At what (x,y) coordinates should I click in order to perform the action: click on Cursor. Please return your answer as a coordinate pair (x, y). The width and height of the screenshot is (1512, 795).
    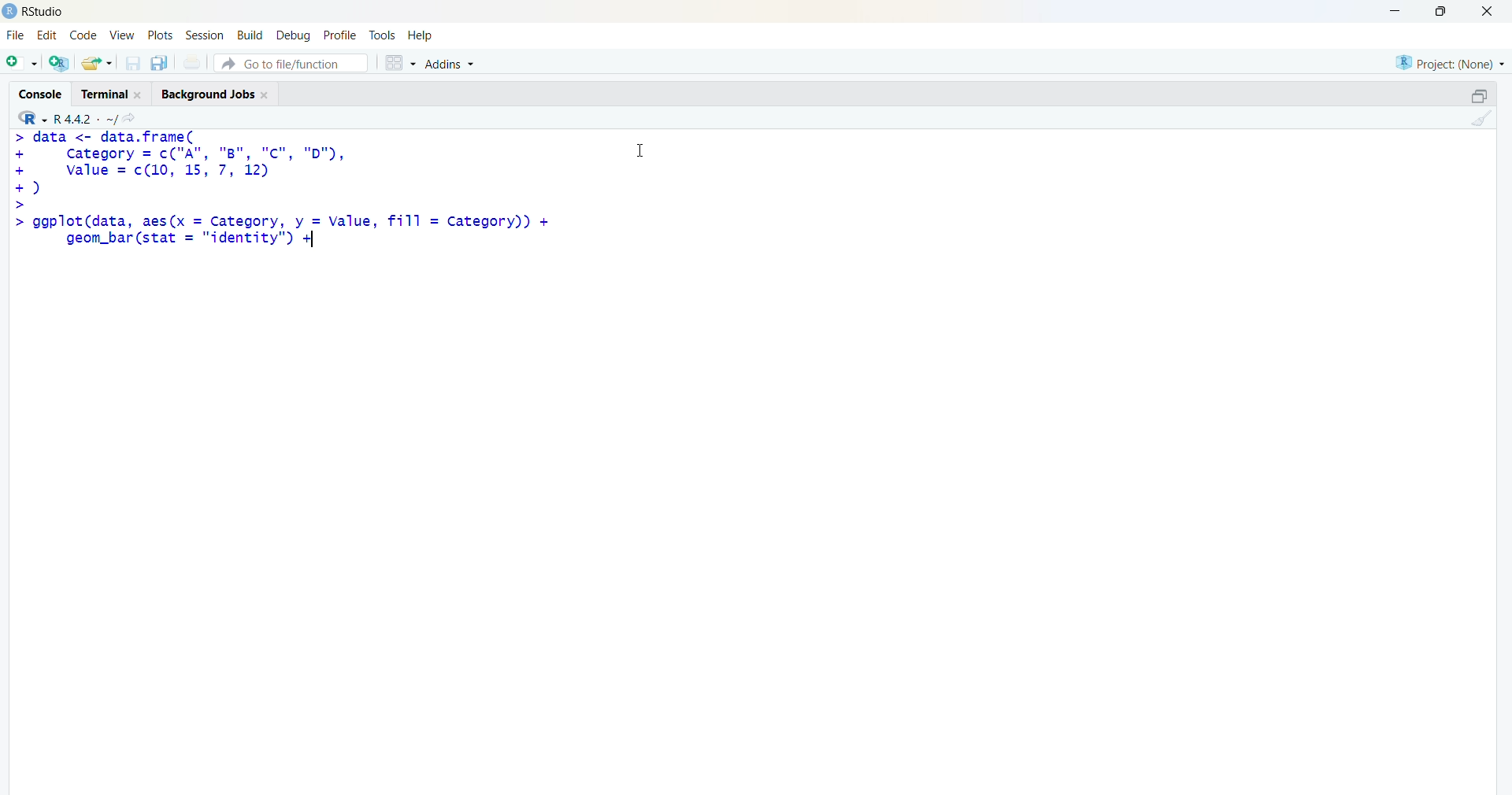
    Looking at the image, I should click on (641, 148).